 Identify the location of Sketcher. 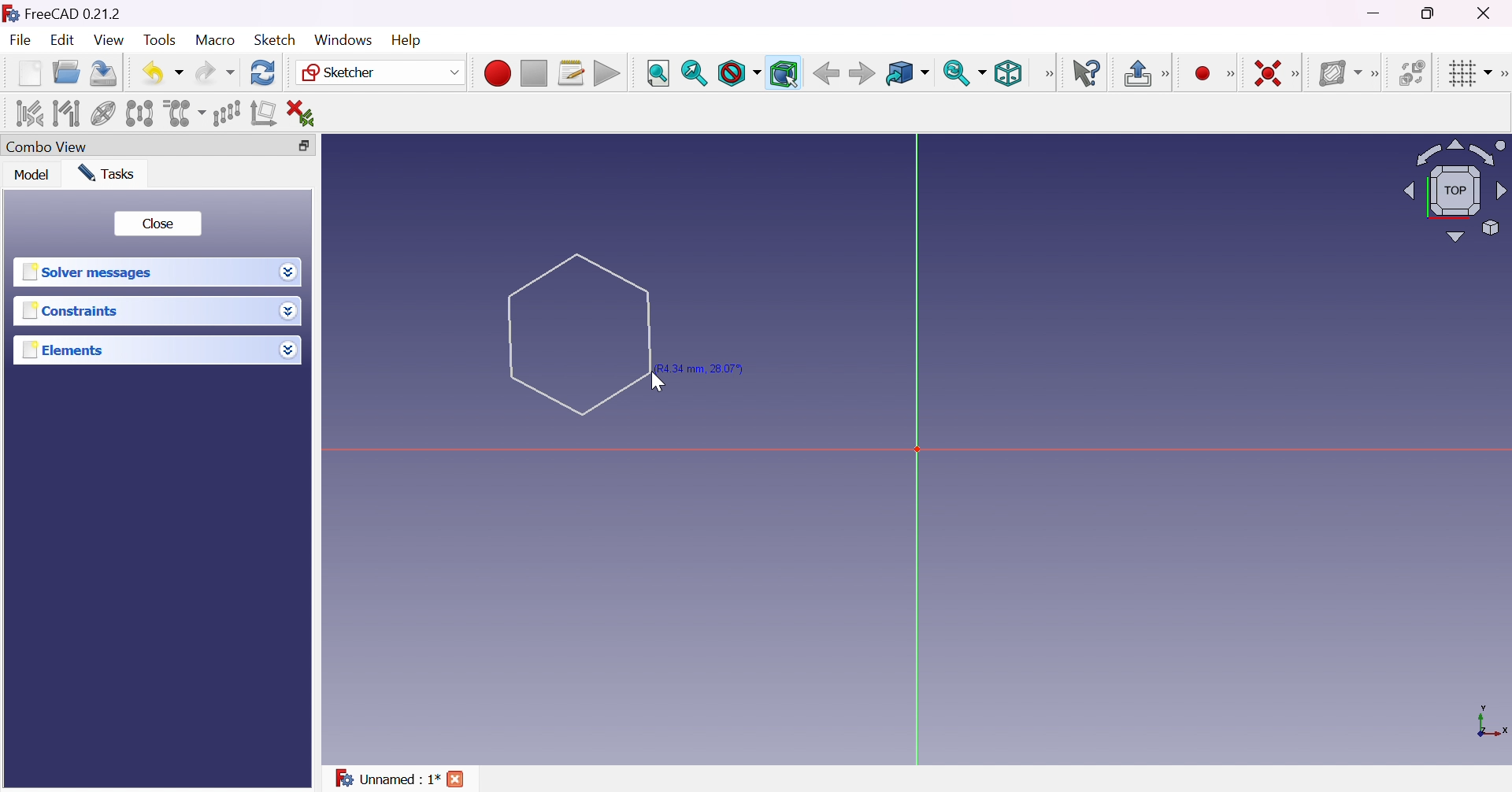
(381, 72).